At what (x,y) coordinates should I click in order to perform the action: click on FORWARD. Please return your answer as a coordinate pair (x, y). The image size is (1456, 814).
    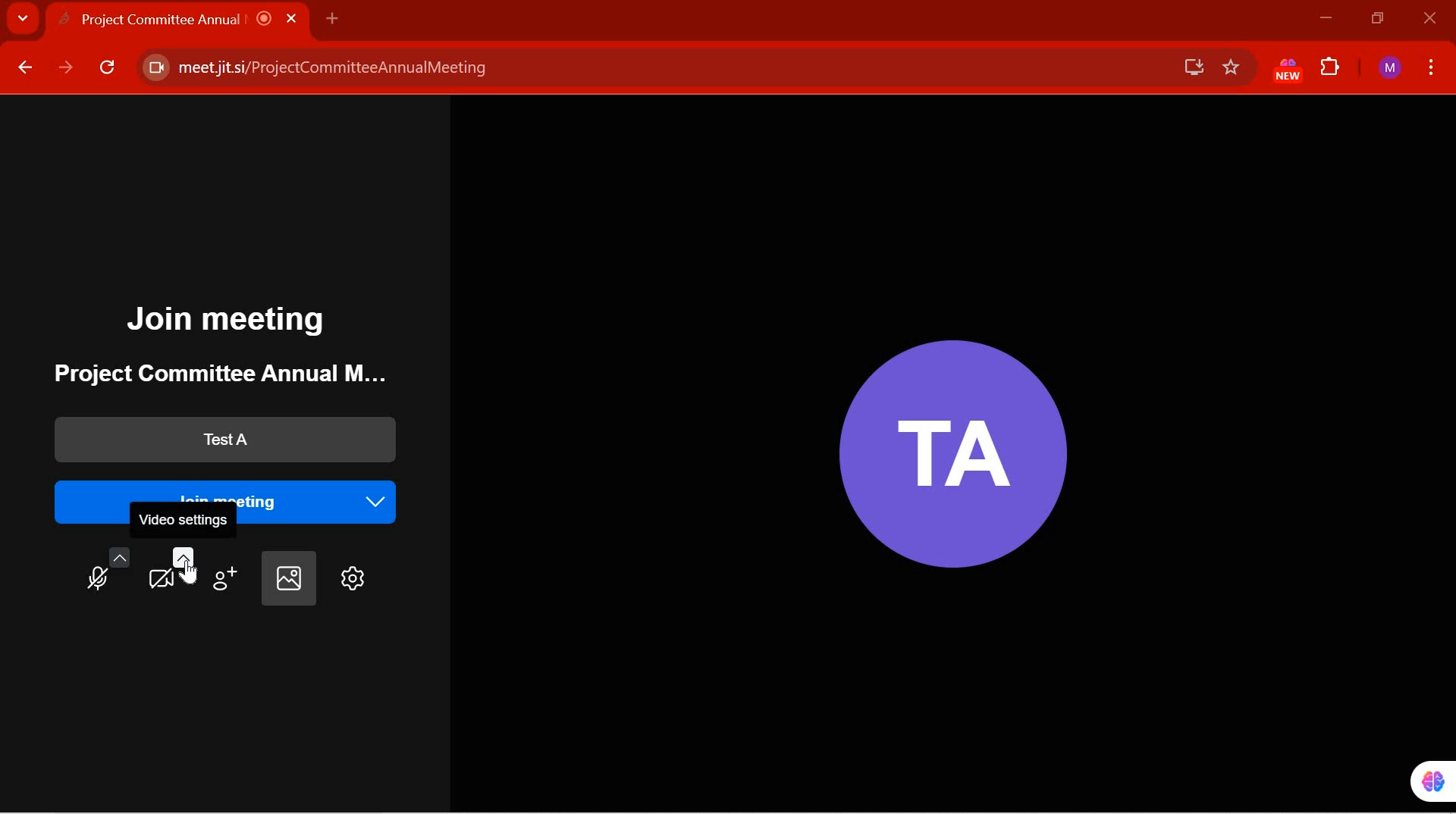
    Looking at the image, I should click on (66, 68).